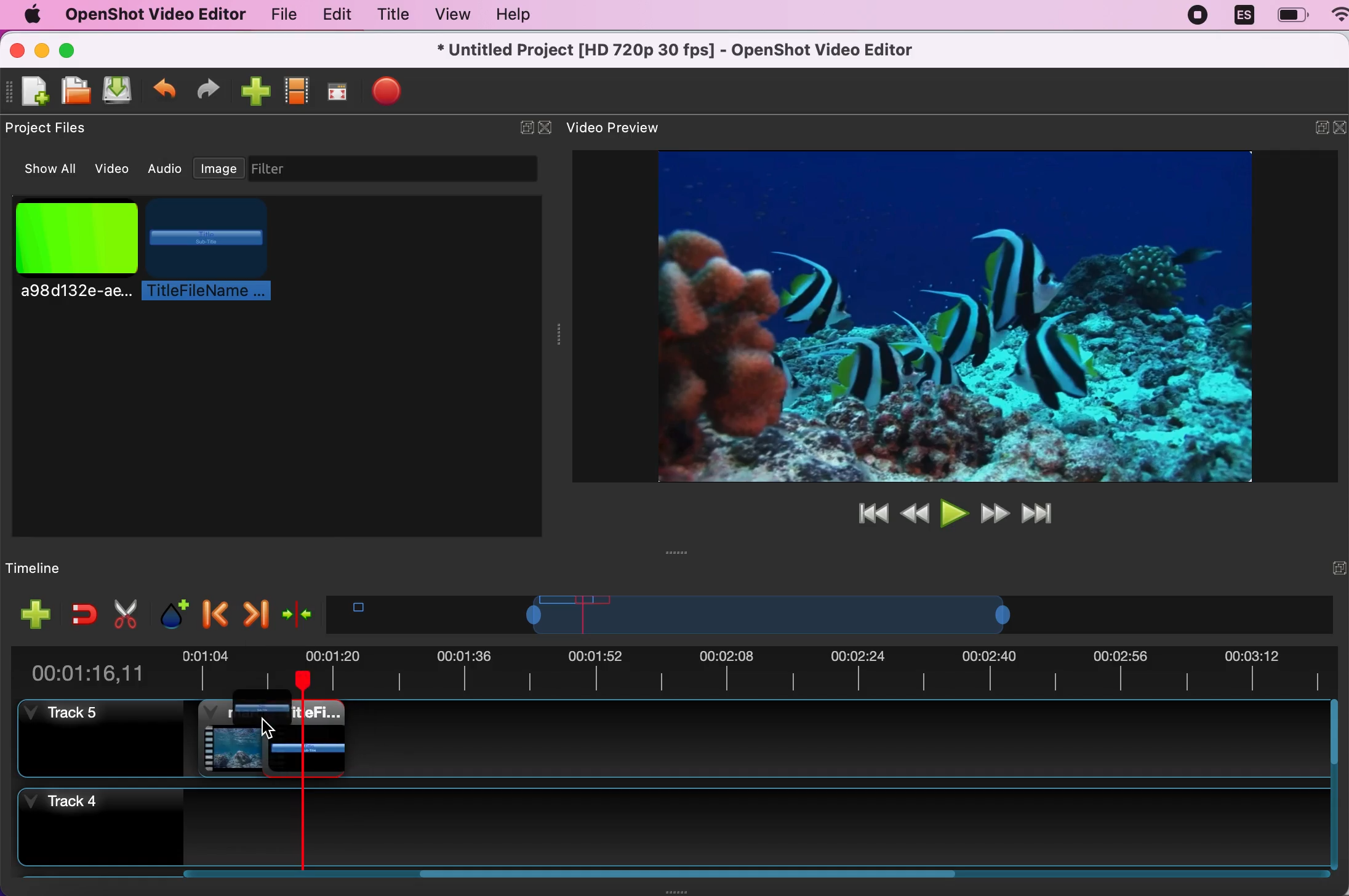  What do you see at coordinates (393, 14) in the screenshot?
I see `title` at bounding box center [393, 14].